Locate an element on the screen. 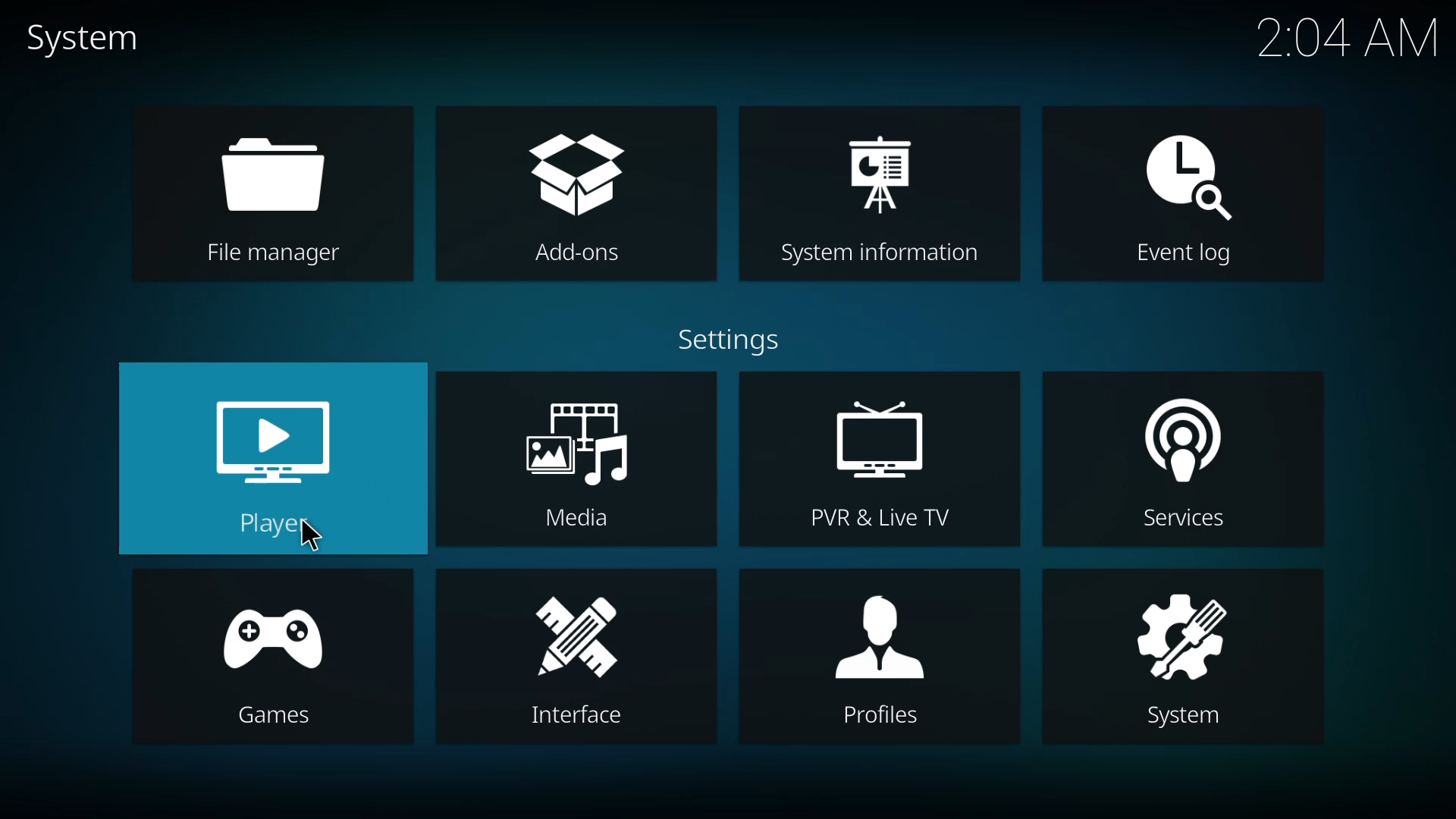 The height and width of the screenshot is (819, 1456). pvr & live tv is located at coordinates (879, 460).